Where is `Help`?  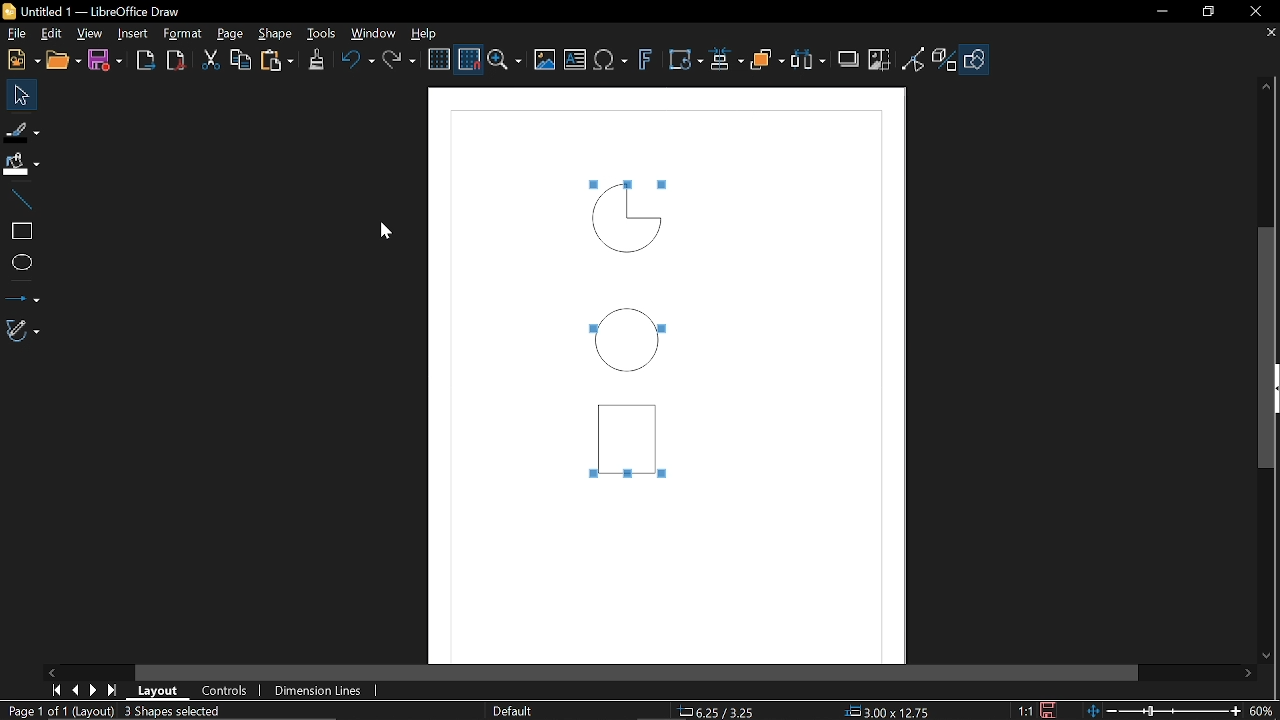
Help is located at coordinates (429, 33).